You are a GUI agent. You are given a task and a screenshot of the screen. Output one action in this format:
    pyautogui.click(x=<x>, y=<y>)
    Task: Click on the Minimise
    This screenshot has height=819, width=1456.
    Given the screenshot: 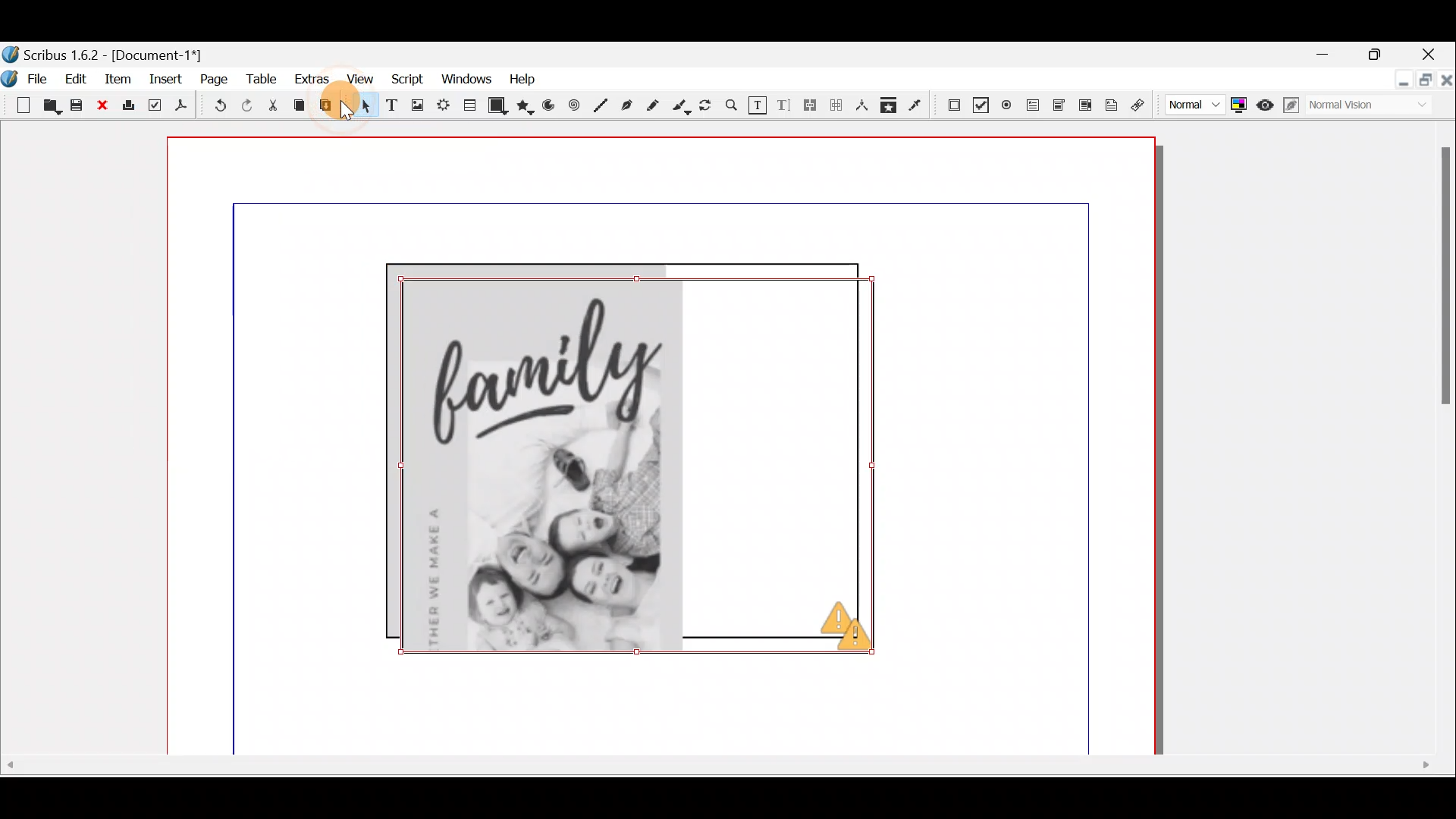 What is the action you would take?
    pyautogui.click(x=1394, y=83)
    